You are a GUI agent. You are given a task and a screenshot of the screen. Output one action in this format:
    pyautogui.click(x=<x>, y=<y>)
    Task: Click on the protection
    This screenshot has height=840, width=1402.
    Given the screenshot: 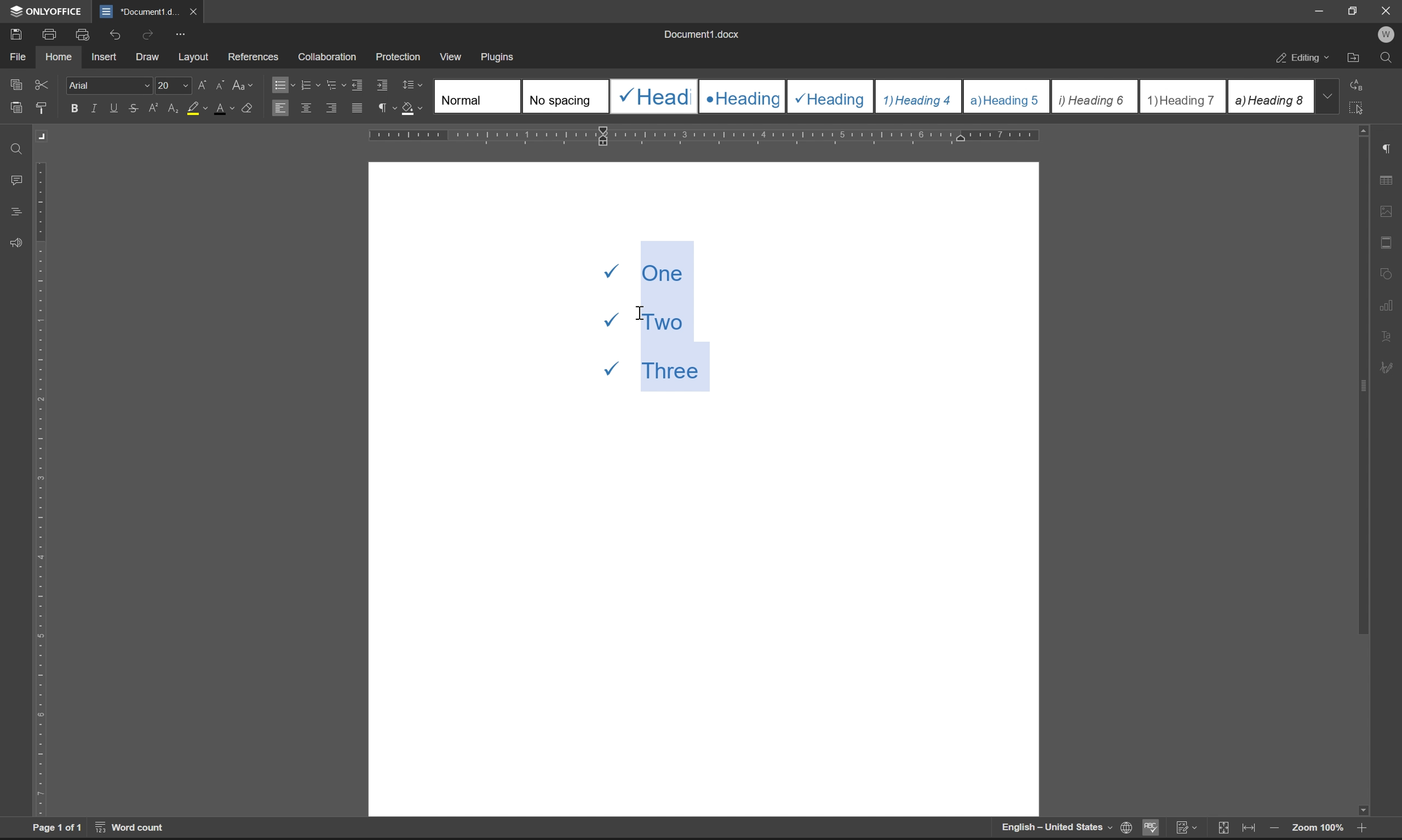 What is the action you would take?
    pyautogui.click(x=400, y=56)
    